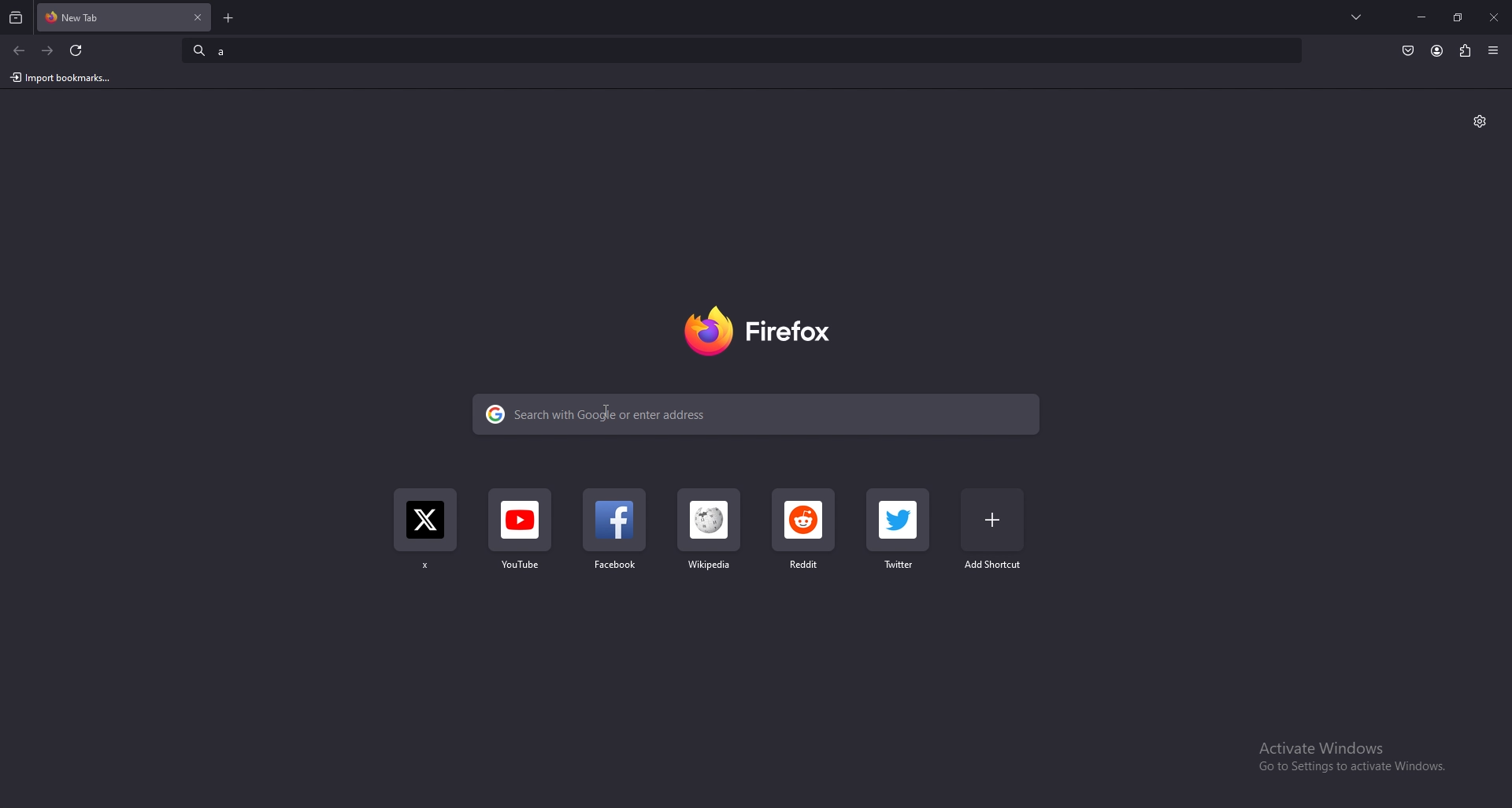 This screenshot has height=808, width=1512. Describe the element at coordinates (1495, 50) in the screenshot. I see `application menu` at that location.